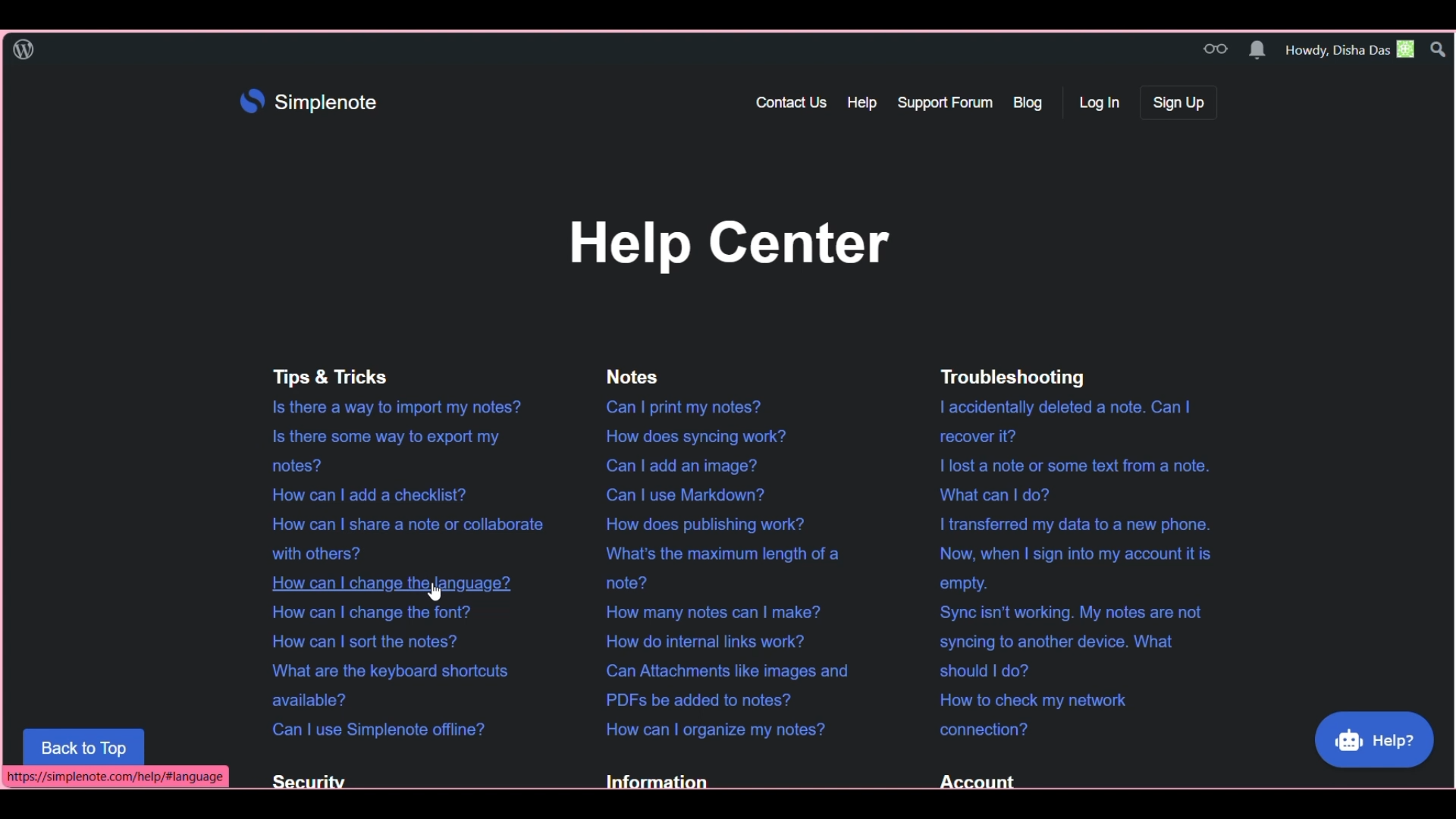 This screenshot has height=819, width=1456. What do you see at coordinates (703, 641) in the screenshot?
I see `How do internal links work?` at bounding box center [703, 641].